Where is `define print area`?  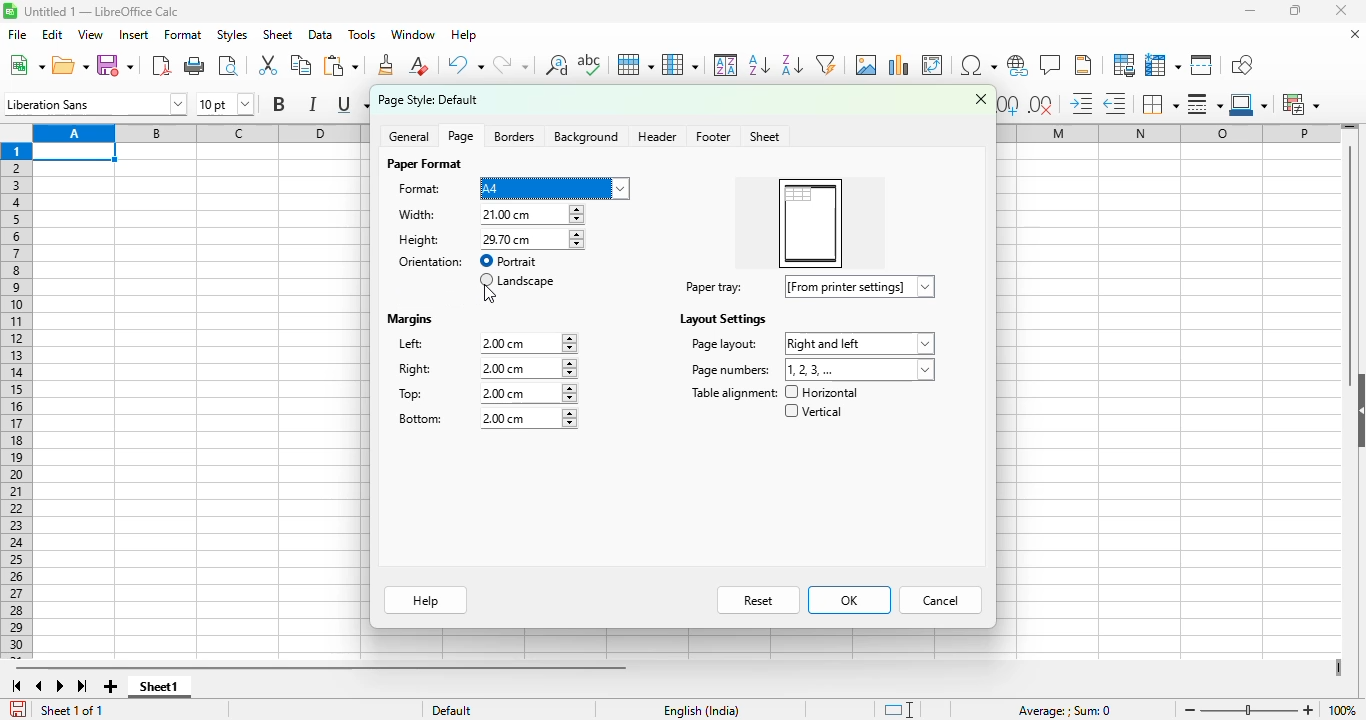
define print area is located at coordinates (1124, 65).